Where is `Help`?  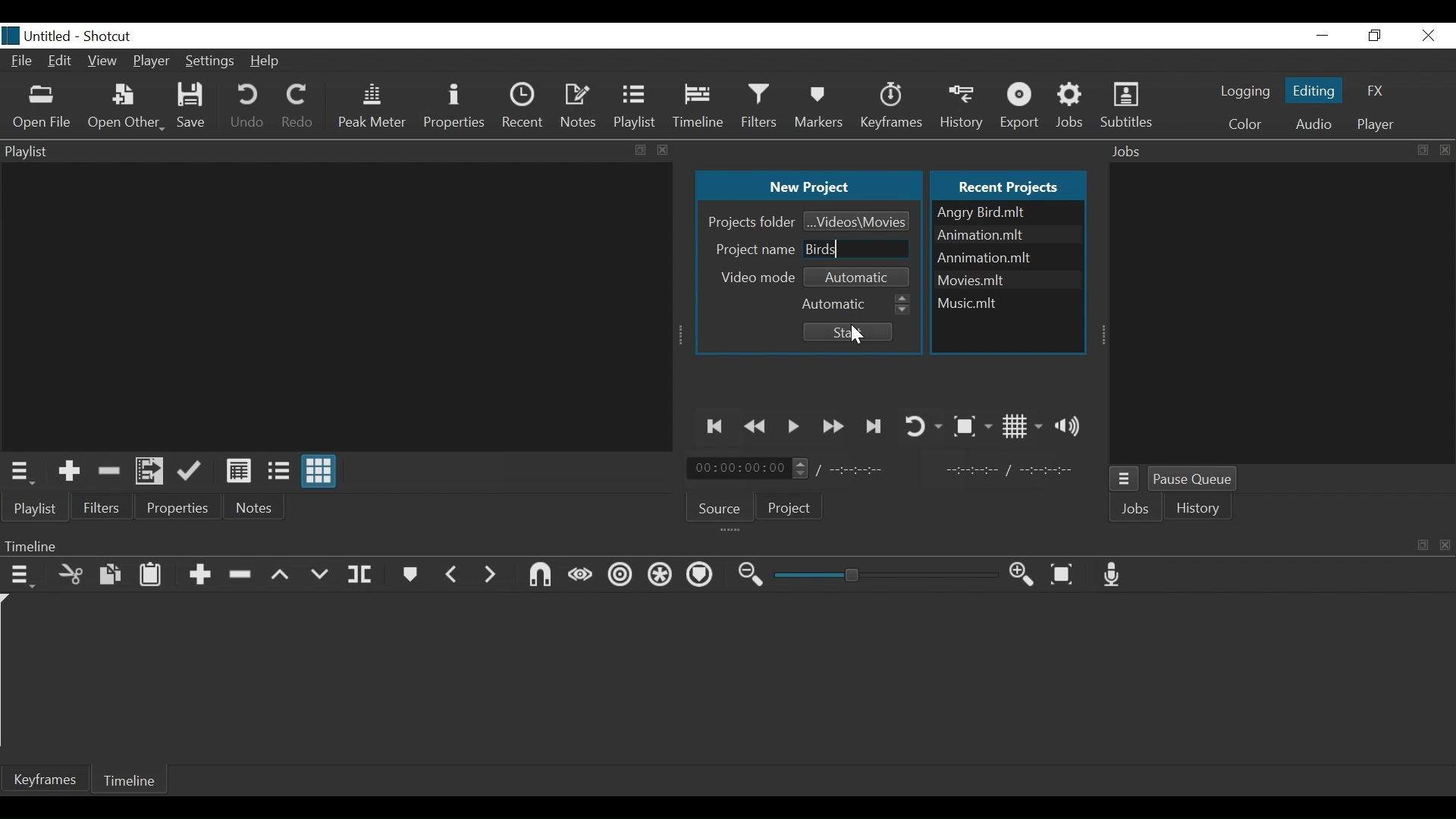 Help is located at coordinates (268, 61).